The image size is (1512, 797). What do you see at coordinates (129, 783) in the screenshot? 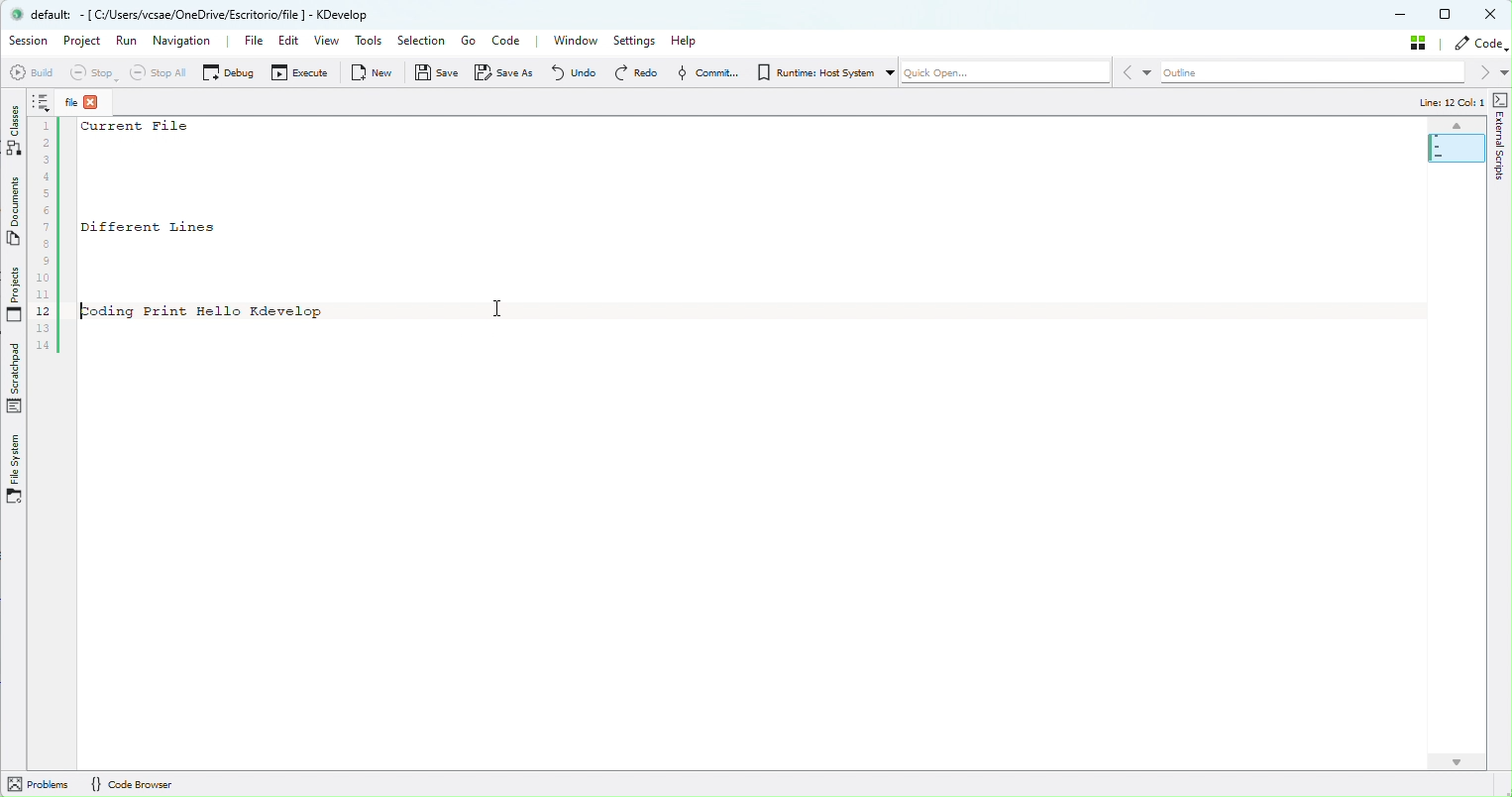
I see `Problems {} Code Browser` at bounding box center [129, 783].